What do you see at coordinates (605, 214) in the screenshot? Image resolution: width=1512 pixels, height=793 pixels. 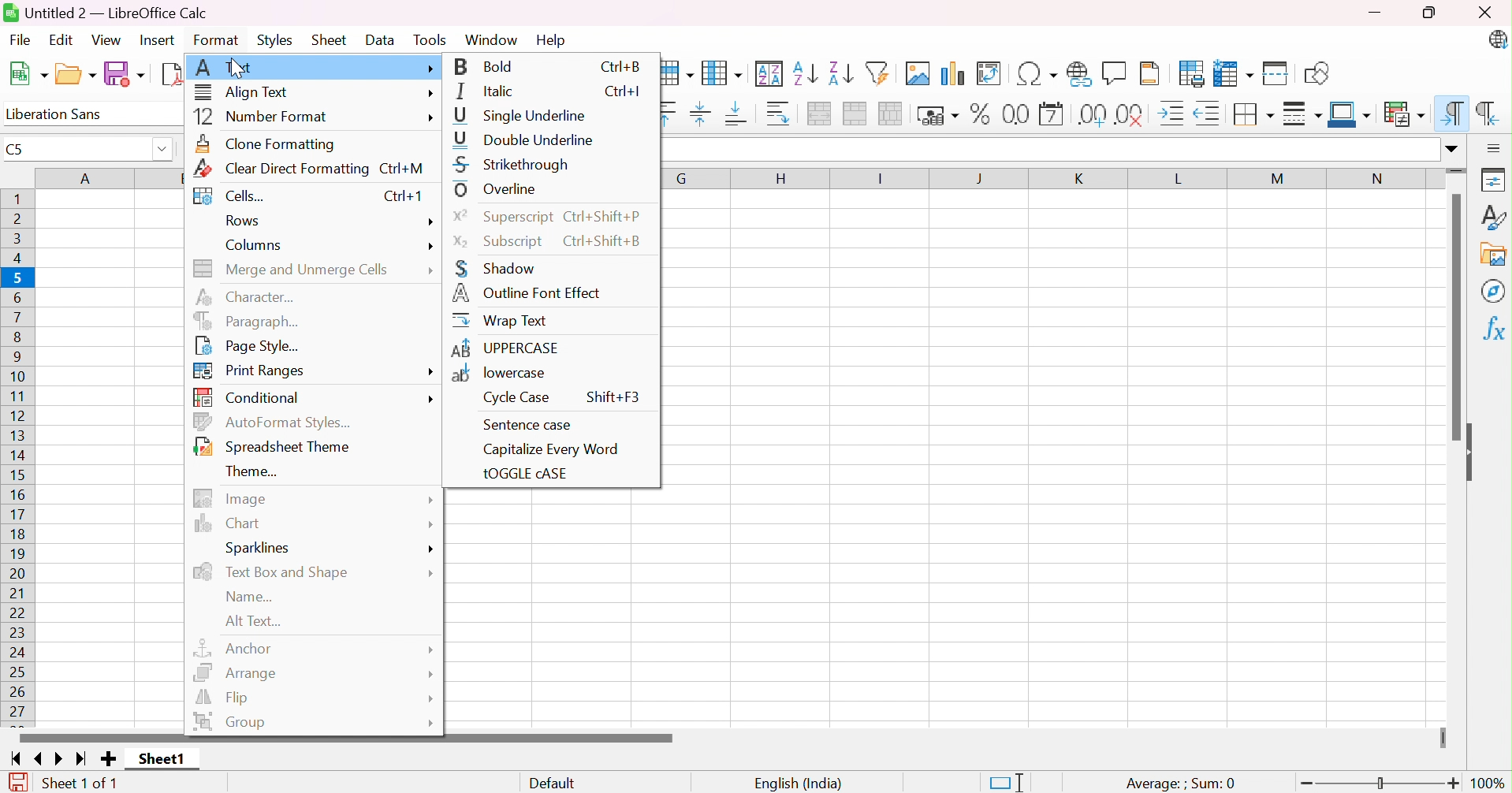 I see `Ctrl+Shift+P` at bounding box center [605, 214].